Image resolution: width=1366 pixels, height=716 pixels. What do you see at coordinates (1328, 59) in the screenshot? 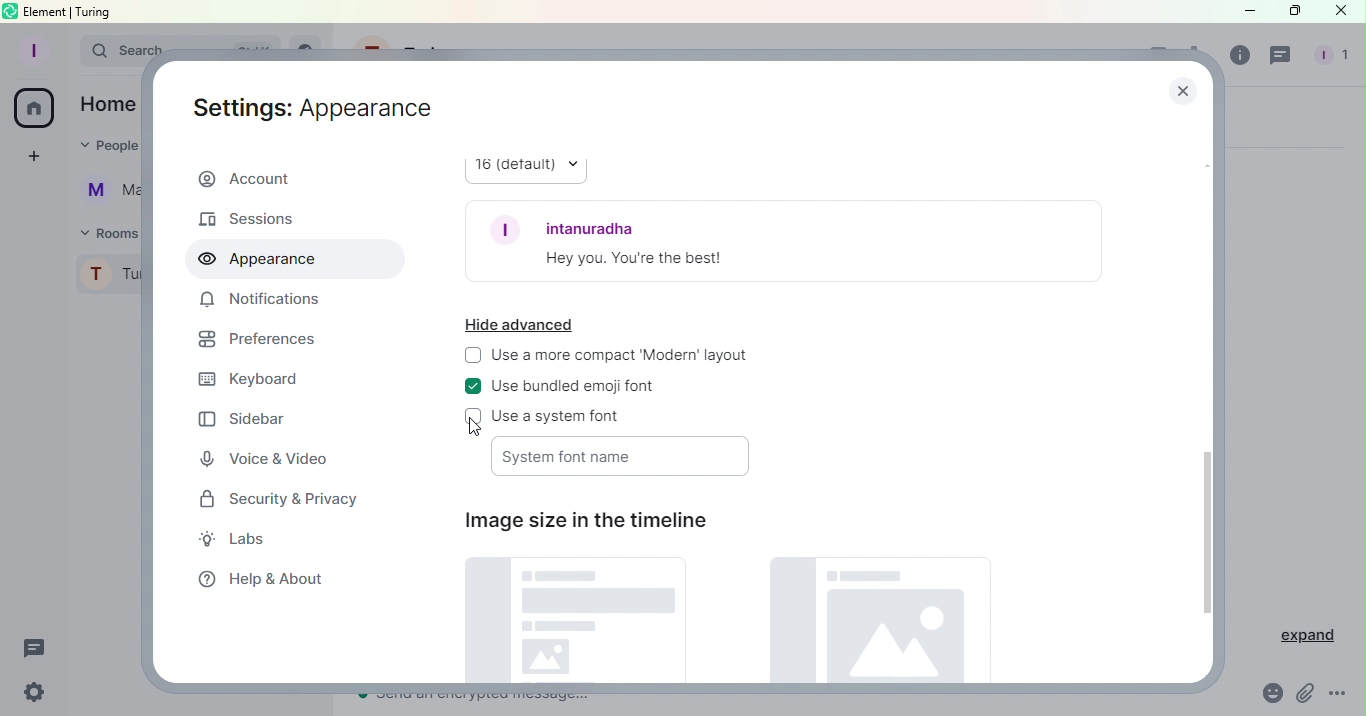
I see `People` at bounding box center [1328, 59].